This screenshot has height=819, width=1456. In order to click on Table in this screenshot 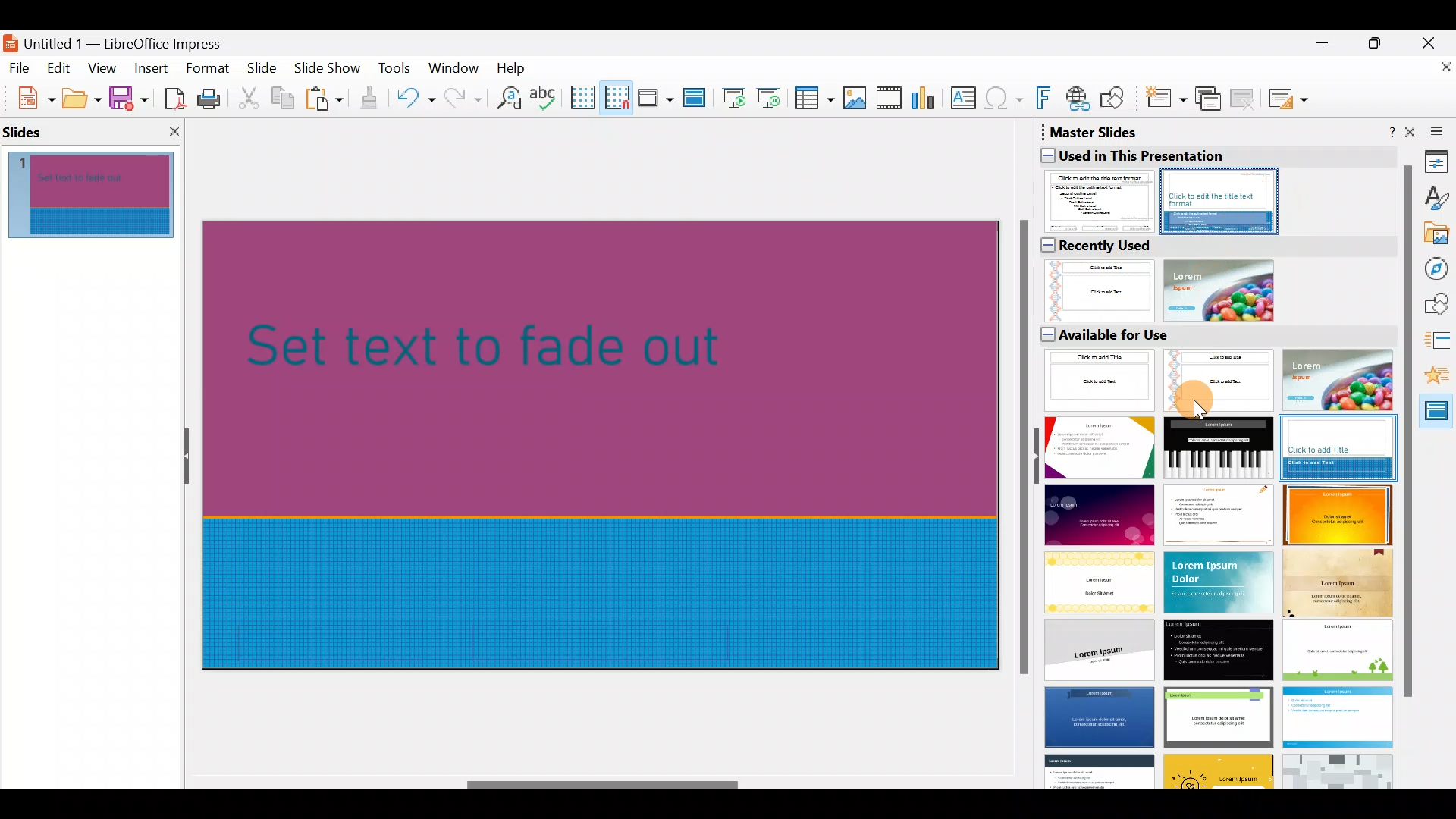, I will do `click(815, 99)`.